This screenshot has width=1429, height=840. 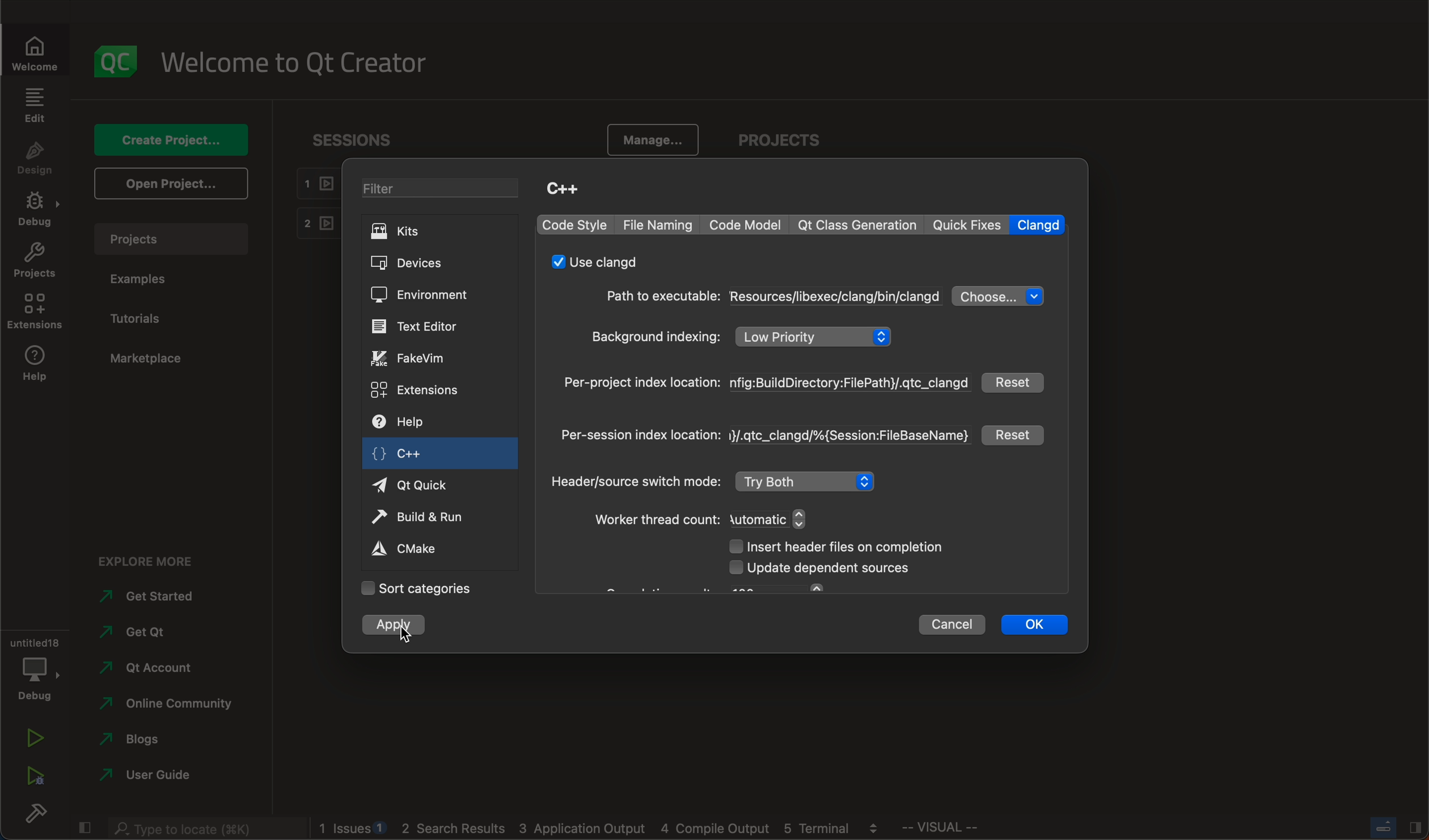 I want to click on run, so click(x=35, y=737).